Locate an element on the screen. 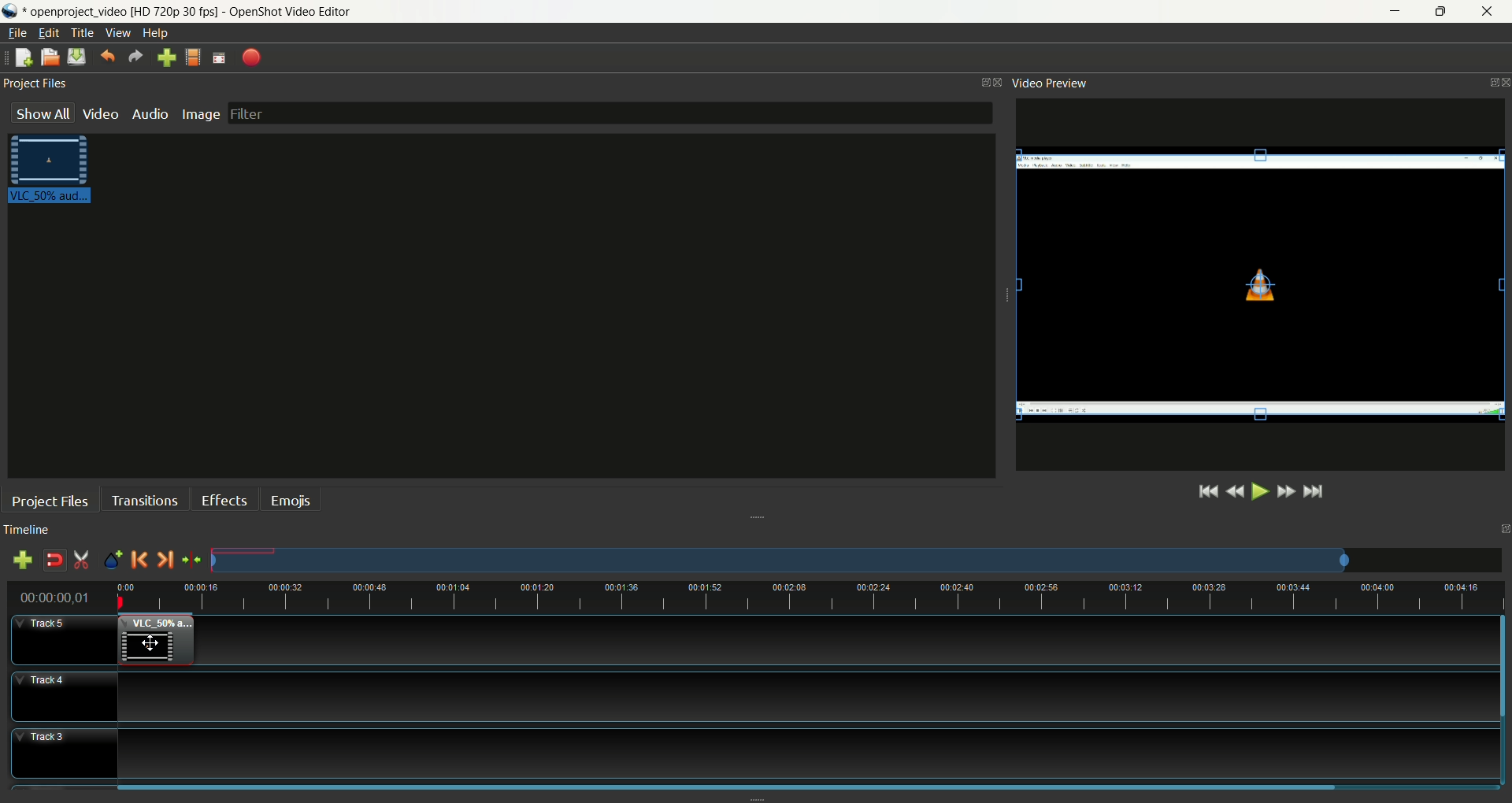 The height and width of the screenshot is (803, 1512). add track is located at coordinates (23, 560).